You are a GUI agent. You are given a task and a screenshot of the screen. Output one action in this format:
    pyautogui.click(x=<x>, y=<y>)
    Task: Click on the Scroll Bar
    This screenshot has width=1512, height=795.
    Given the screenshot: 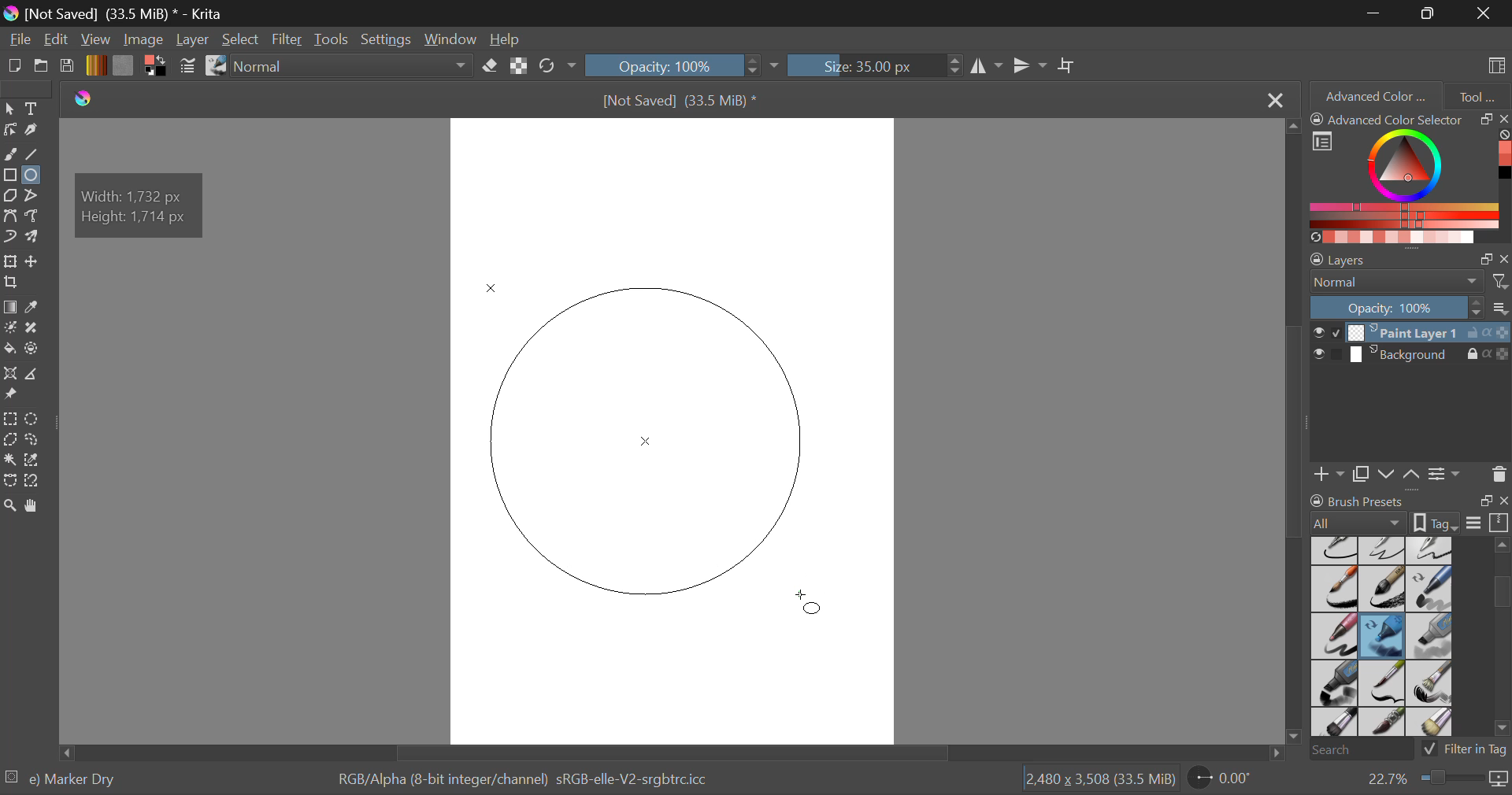 What is the action you would take?
    pyautogui.click(x=1296, y=434)
    